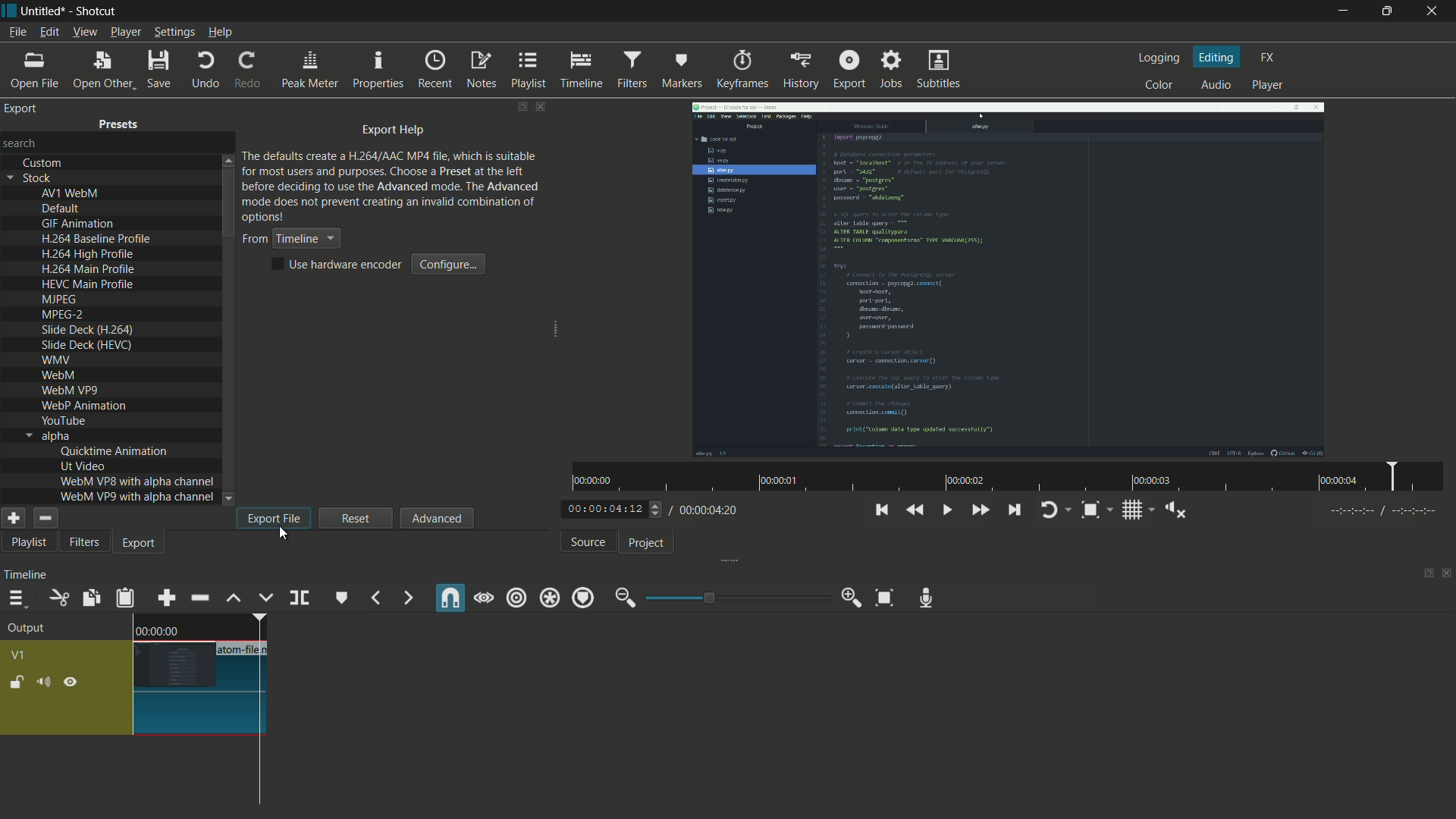 This screenshot has width=1456, height=819. I want to click on toggle player looping, so click(1049, 511).